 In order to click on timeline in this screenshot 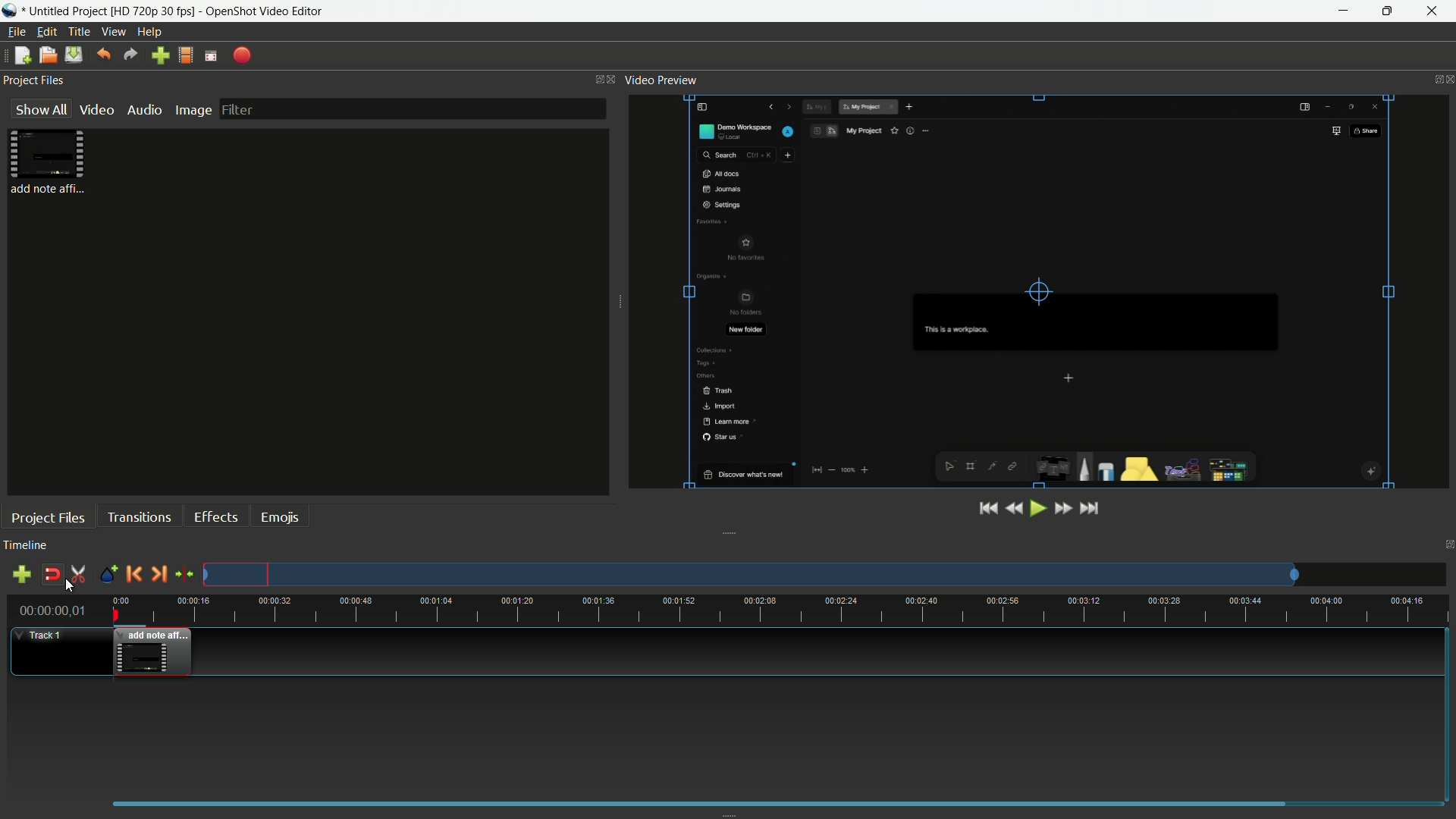, I will do `click(25, 546)`.